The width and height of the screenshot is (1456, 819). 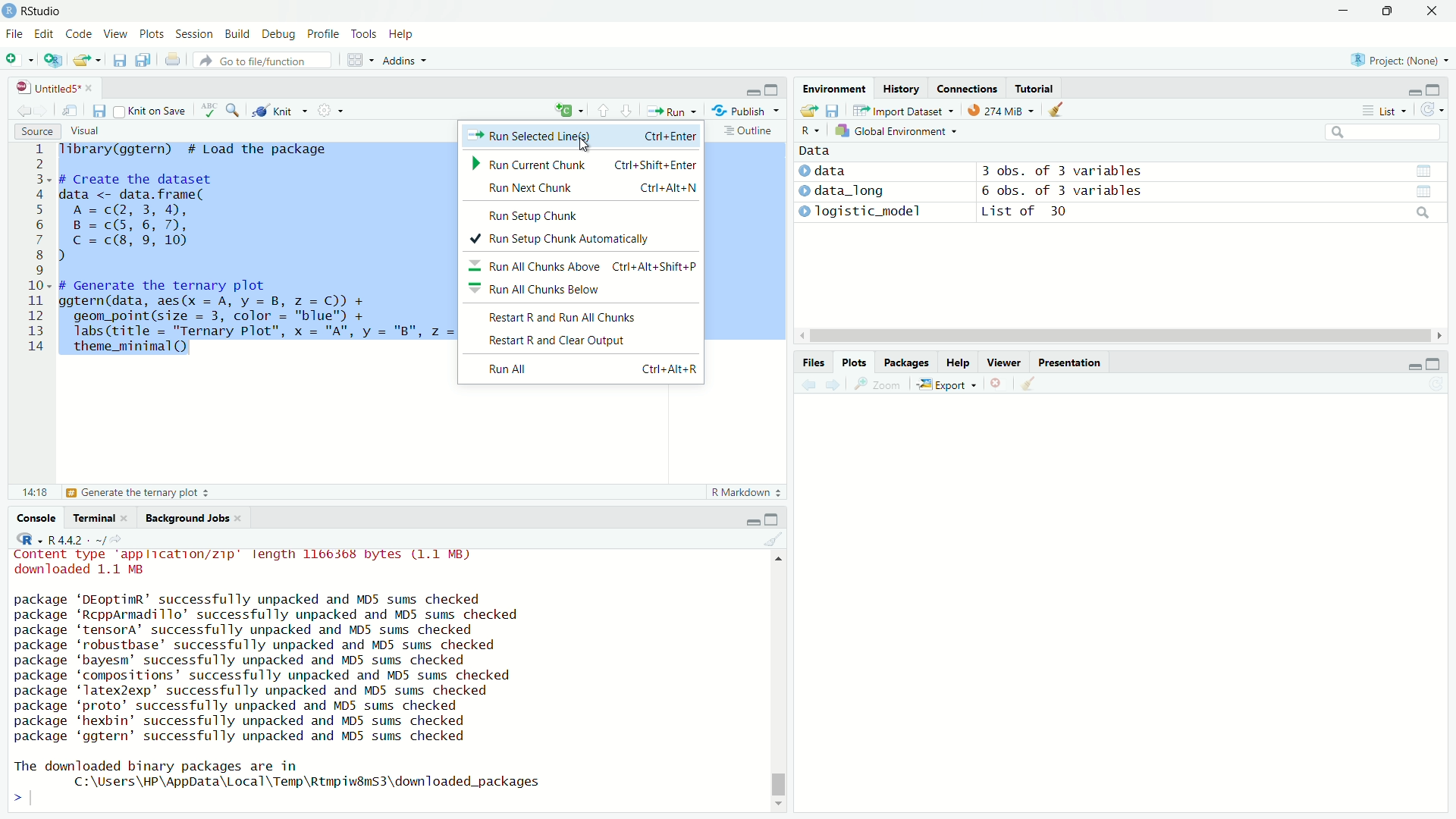 What do you see at coordinates (1392, 60) in the screenshot?
I see `| Project: (None)` at bounding box center [1392, 60].